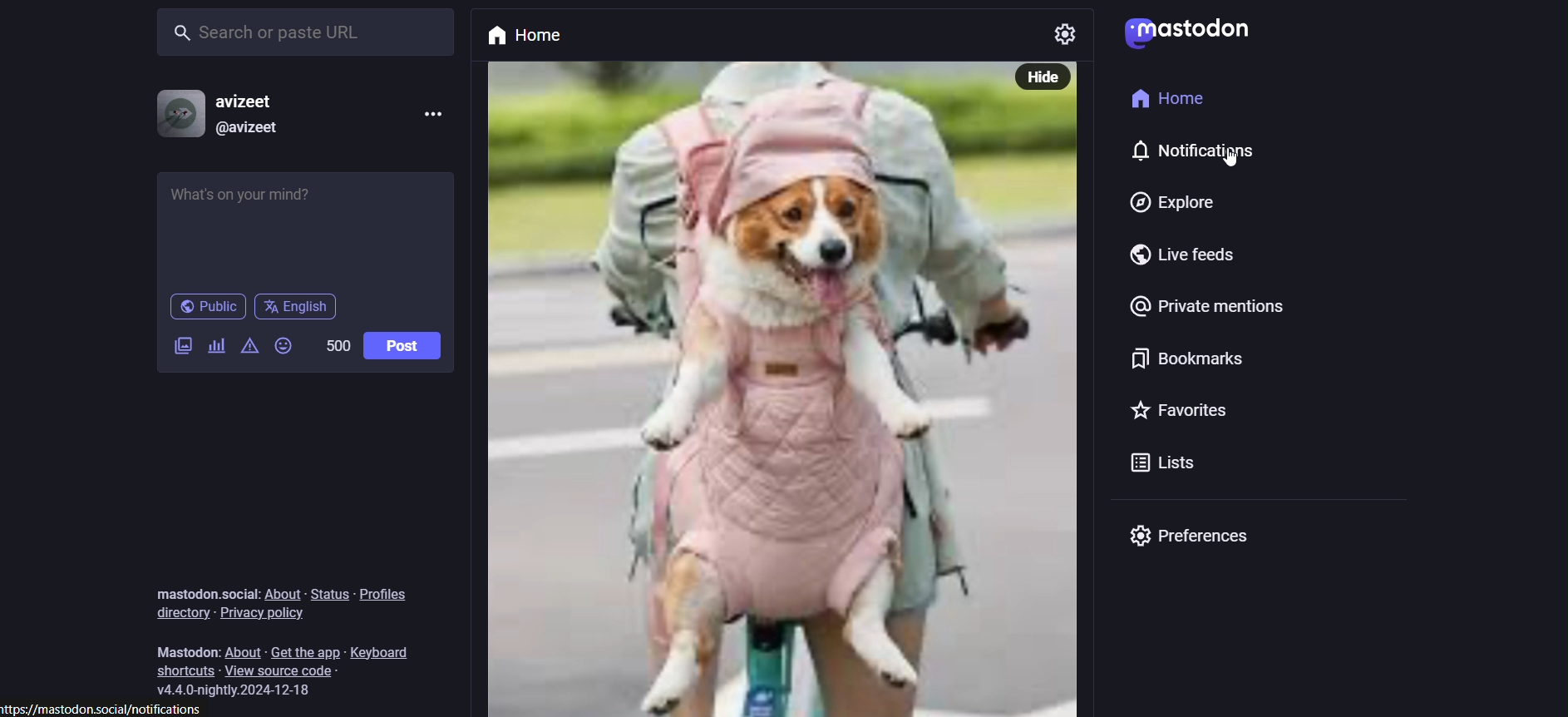  Describe the element at coordinates (524, 32) in the screenshot. I see `home` at that location.